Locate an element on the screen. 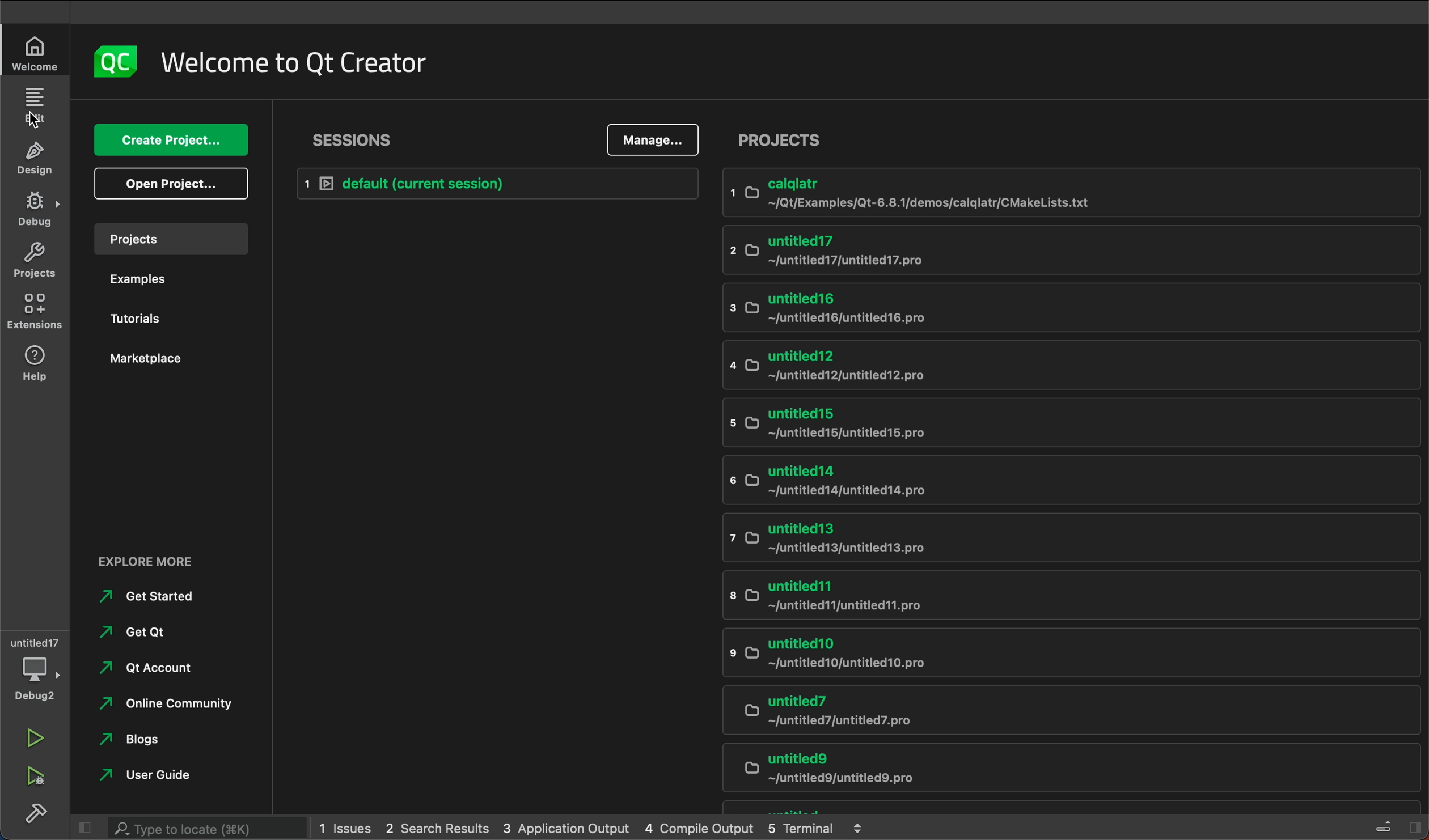 The width and height of the screenshot is (1429, 840). welcome is located at coordinates (33, 54).